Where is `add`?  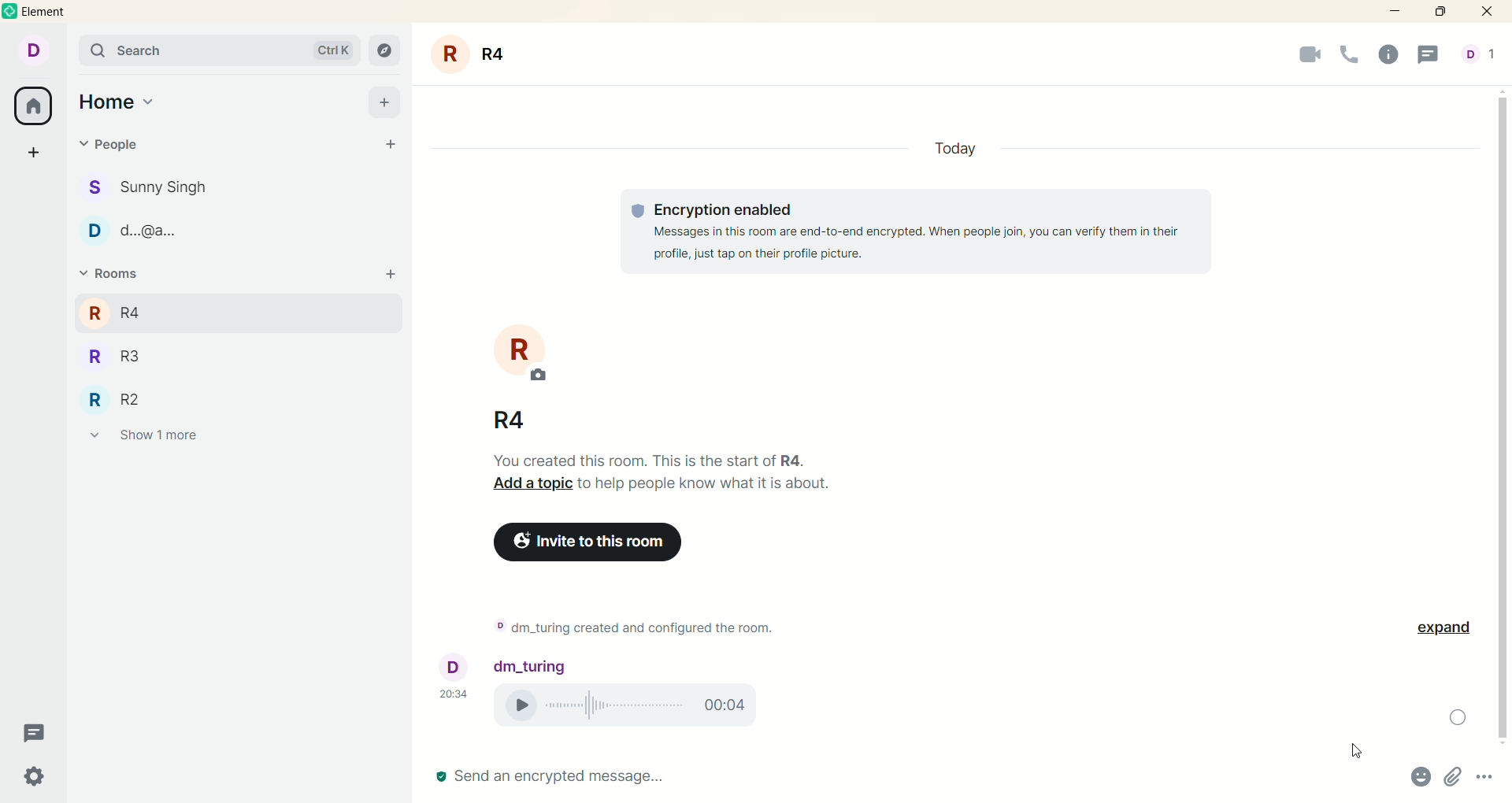 add is located at coordinates (384, 102).